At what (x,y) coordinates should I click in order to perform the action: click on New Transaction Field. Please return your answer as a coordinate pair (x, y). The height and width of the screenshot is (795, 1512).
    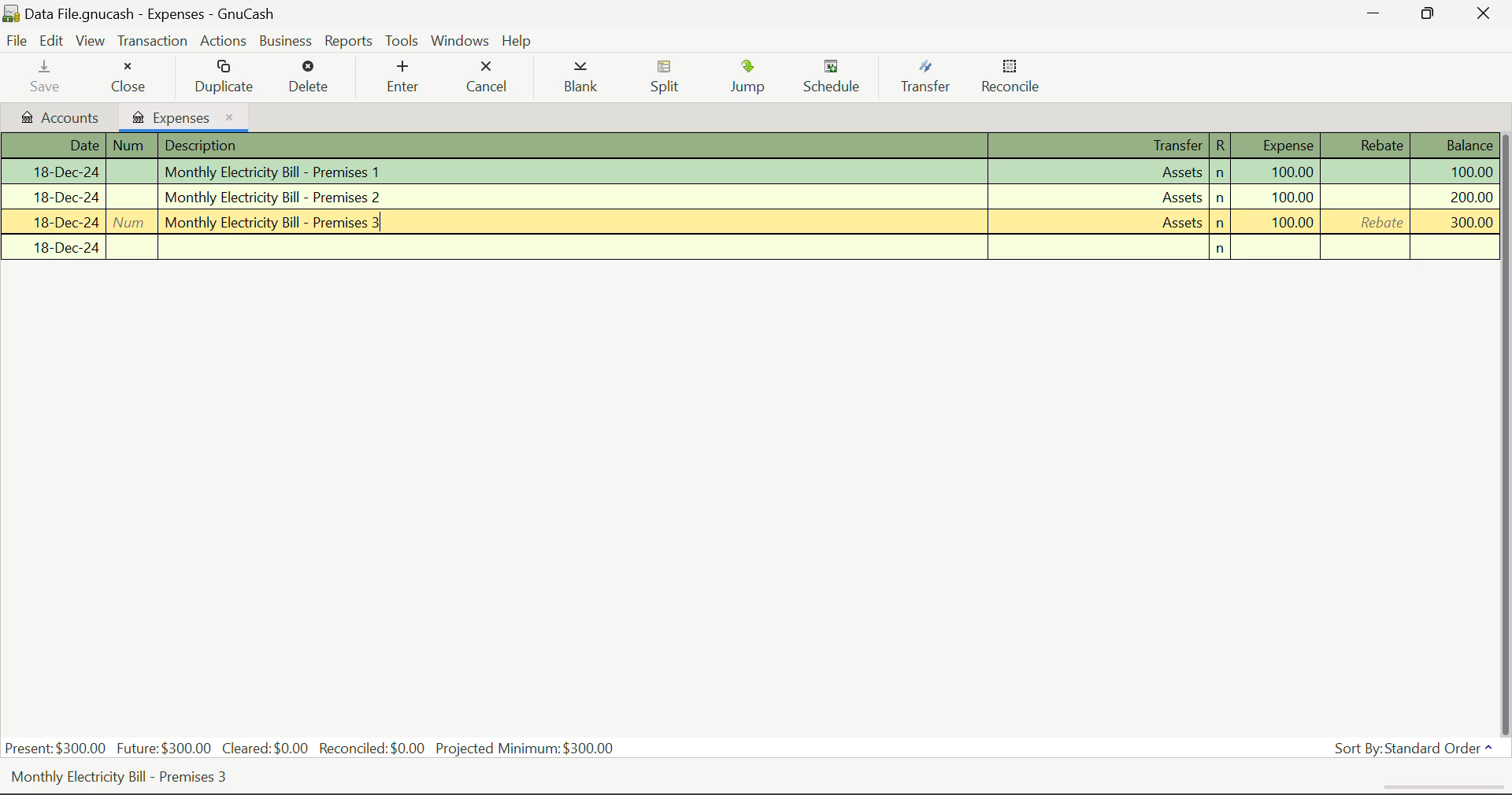
    Looking at the image, I should click on (748, 248).